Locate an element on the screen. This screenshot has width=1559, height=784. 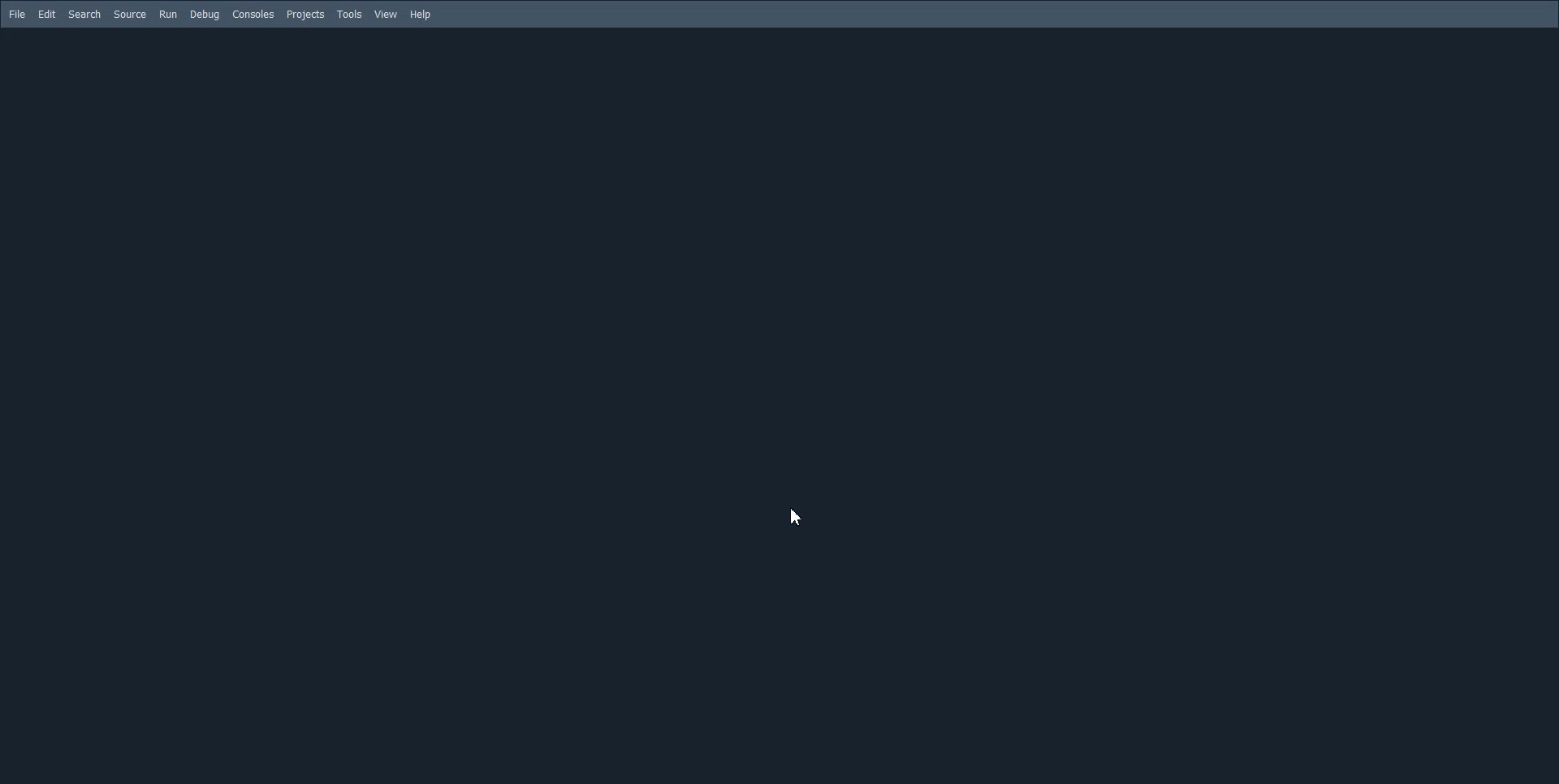
Projects is located at coordinates (304, 15).